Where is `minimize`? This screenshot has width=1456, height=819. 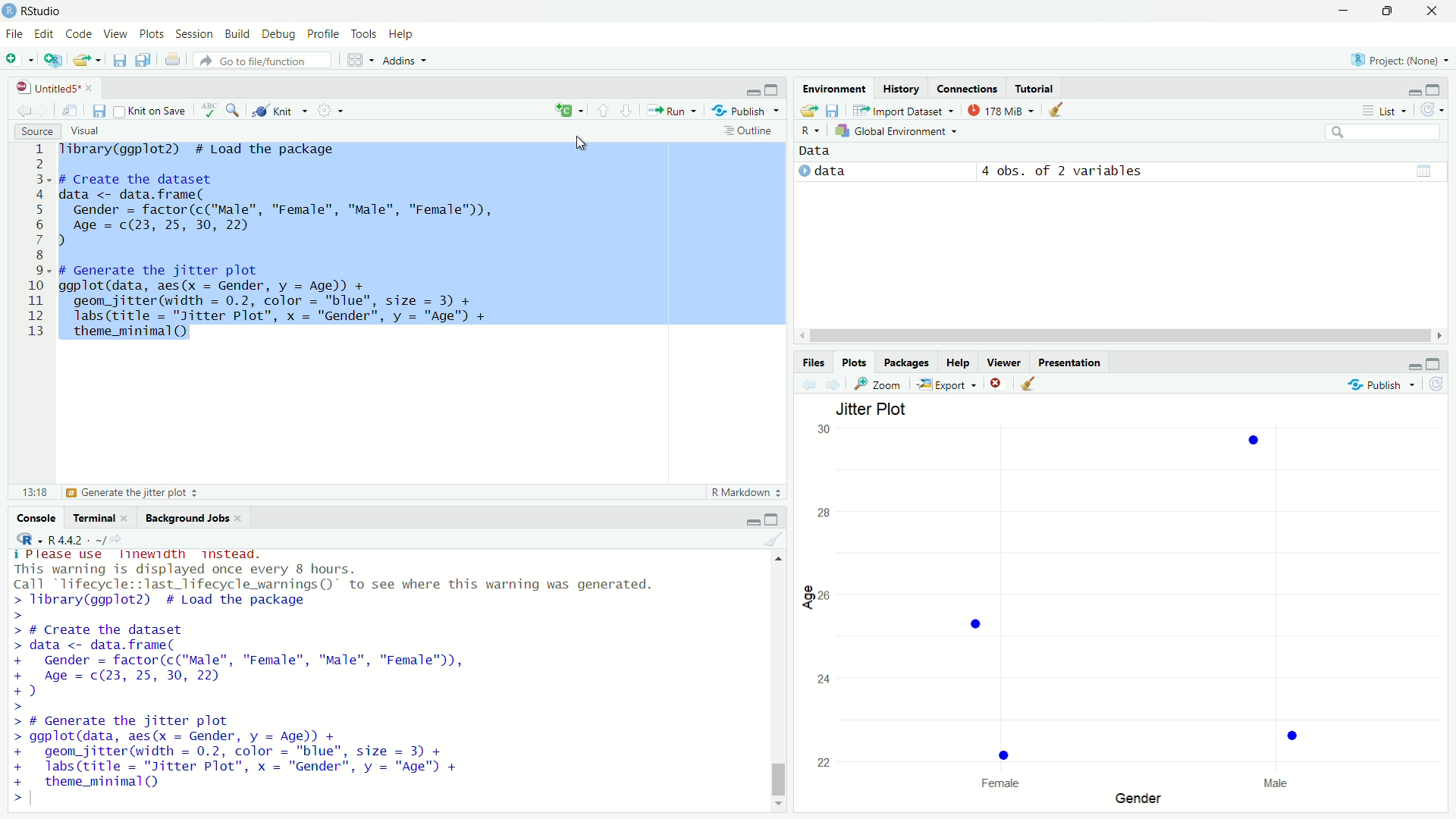
minimize is located at coordinates (1341, 9).